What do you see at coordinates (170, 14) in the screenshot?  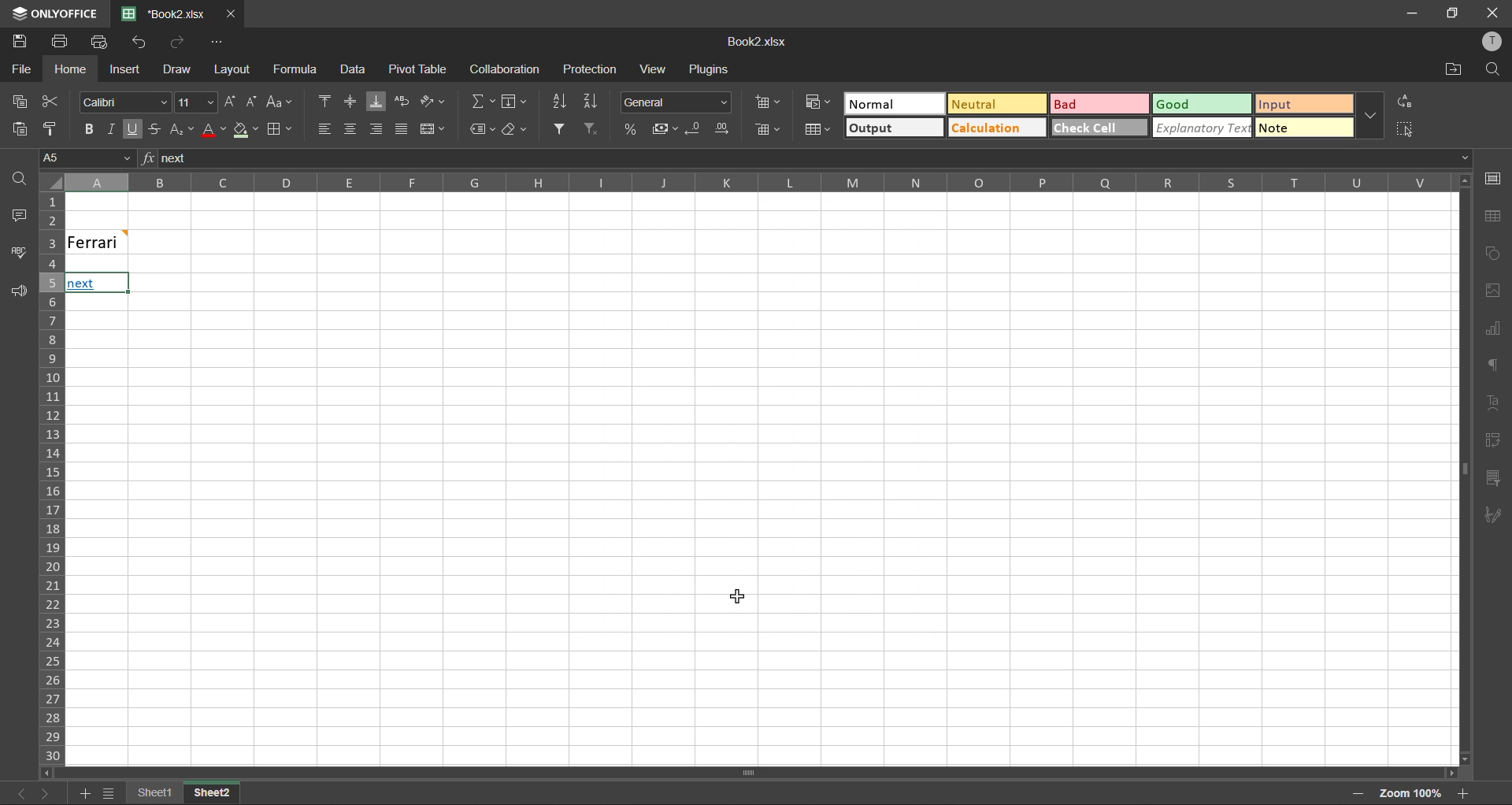 I see `file name` at bounding box center [170, 14].